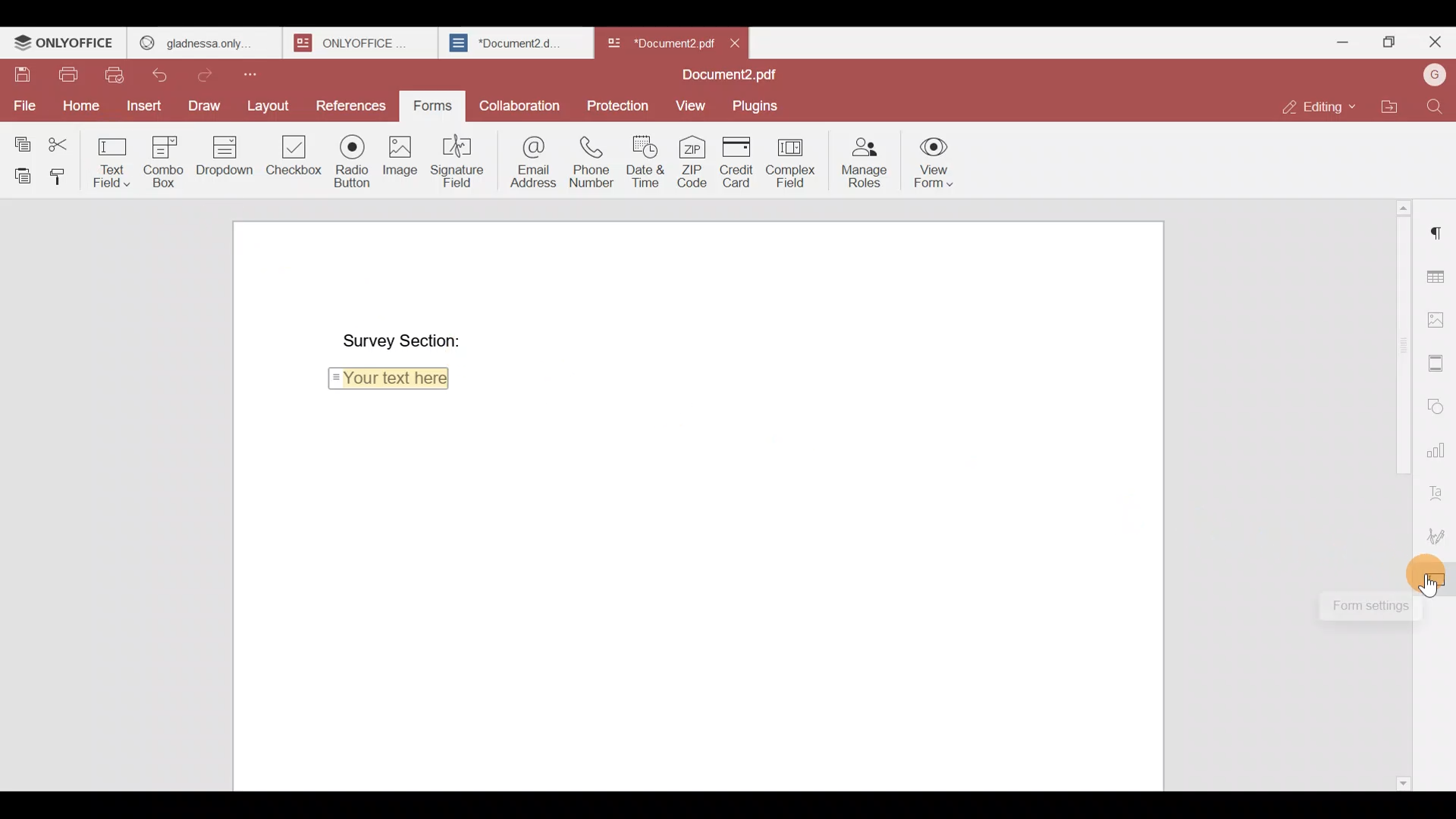 The image size is (1456, 819). I want to click on Radio, so click(351, 158).